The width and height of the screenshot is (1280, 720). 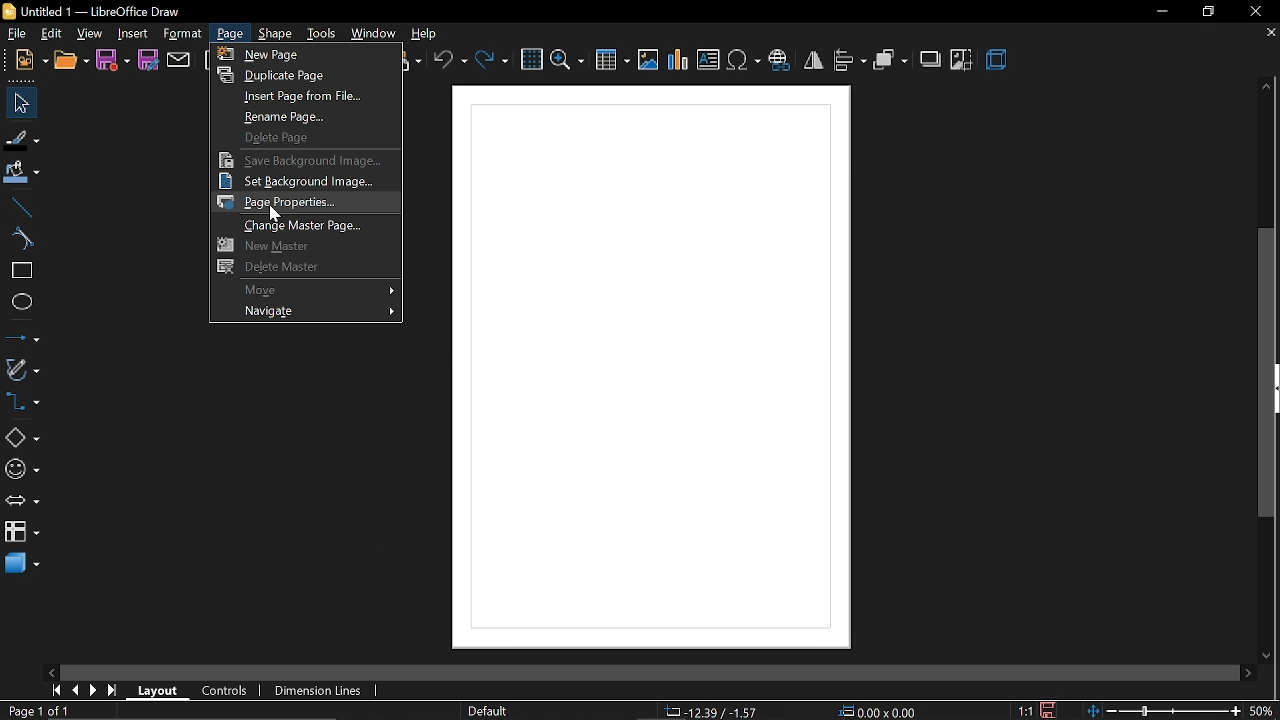 What do you see at coordinates (278, 34) in the screenshot?
I see `shape` at bounding box center [278, 34].